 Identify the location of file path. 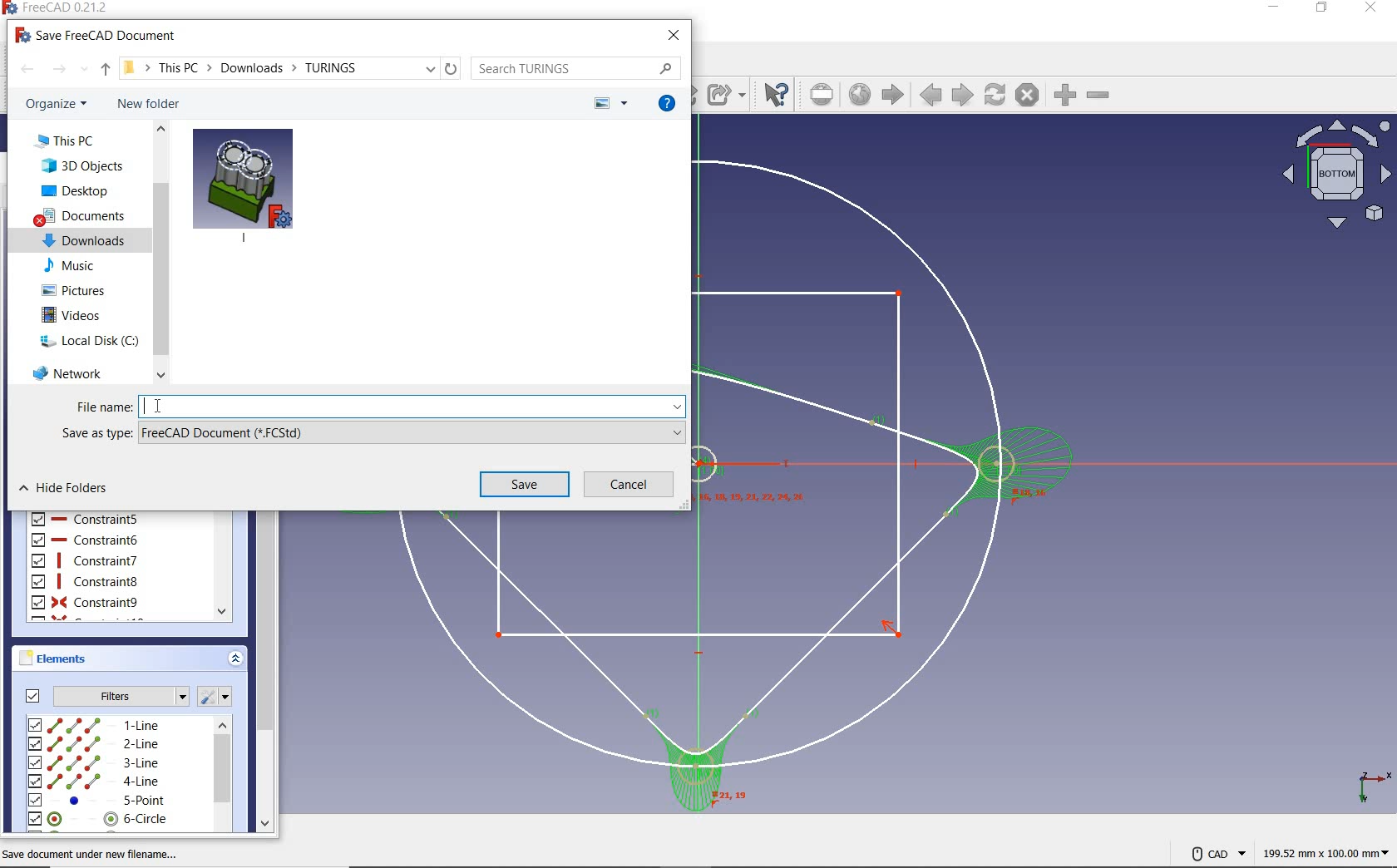
(240, 67).